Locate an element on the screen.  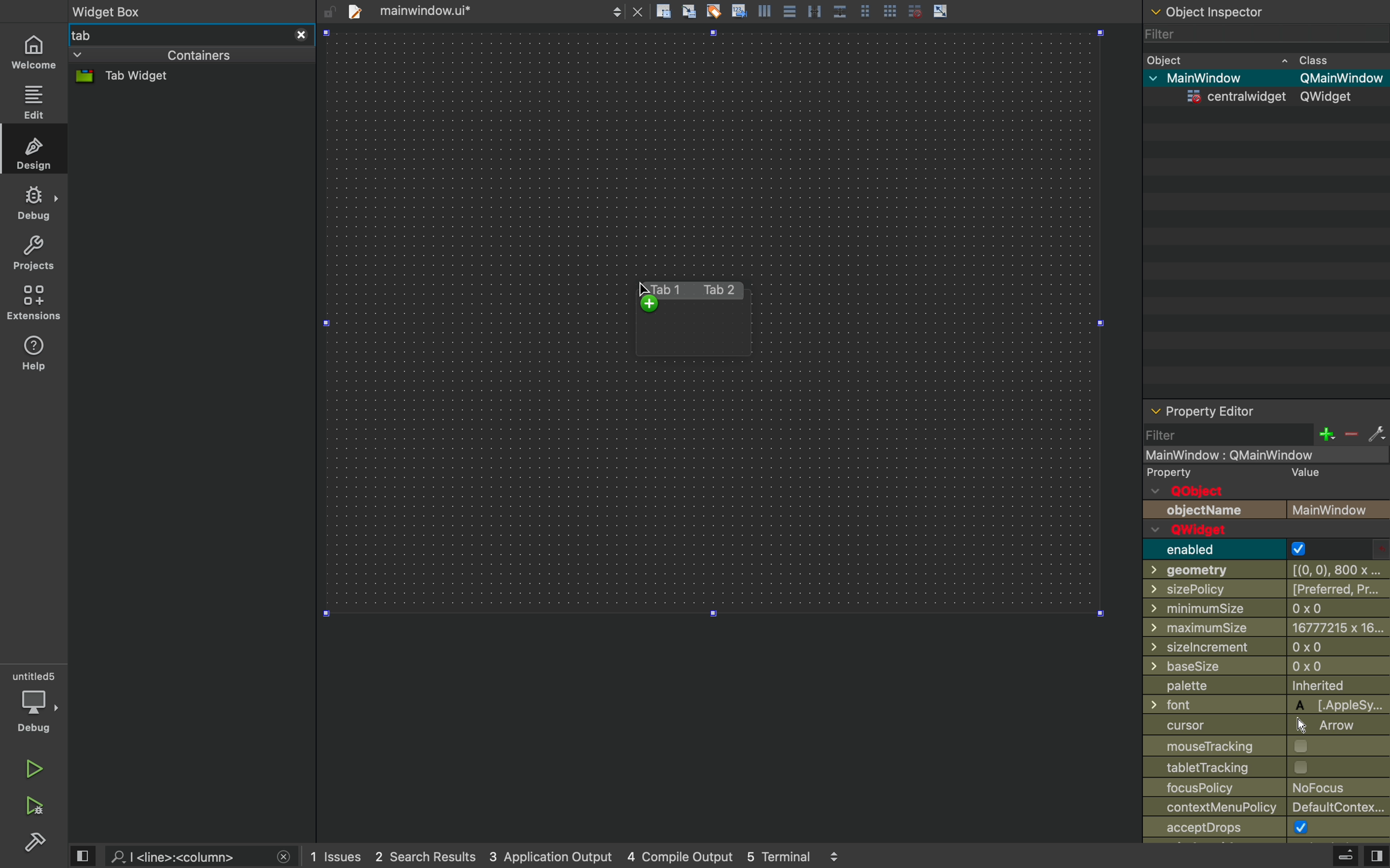
focuspolicy is located at coordinates (1268, 789).